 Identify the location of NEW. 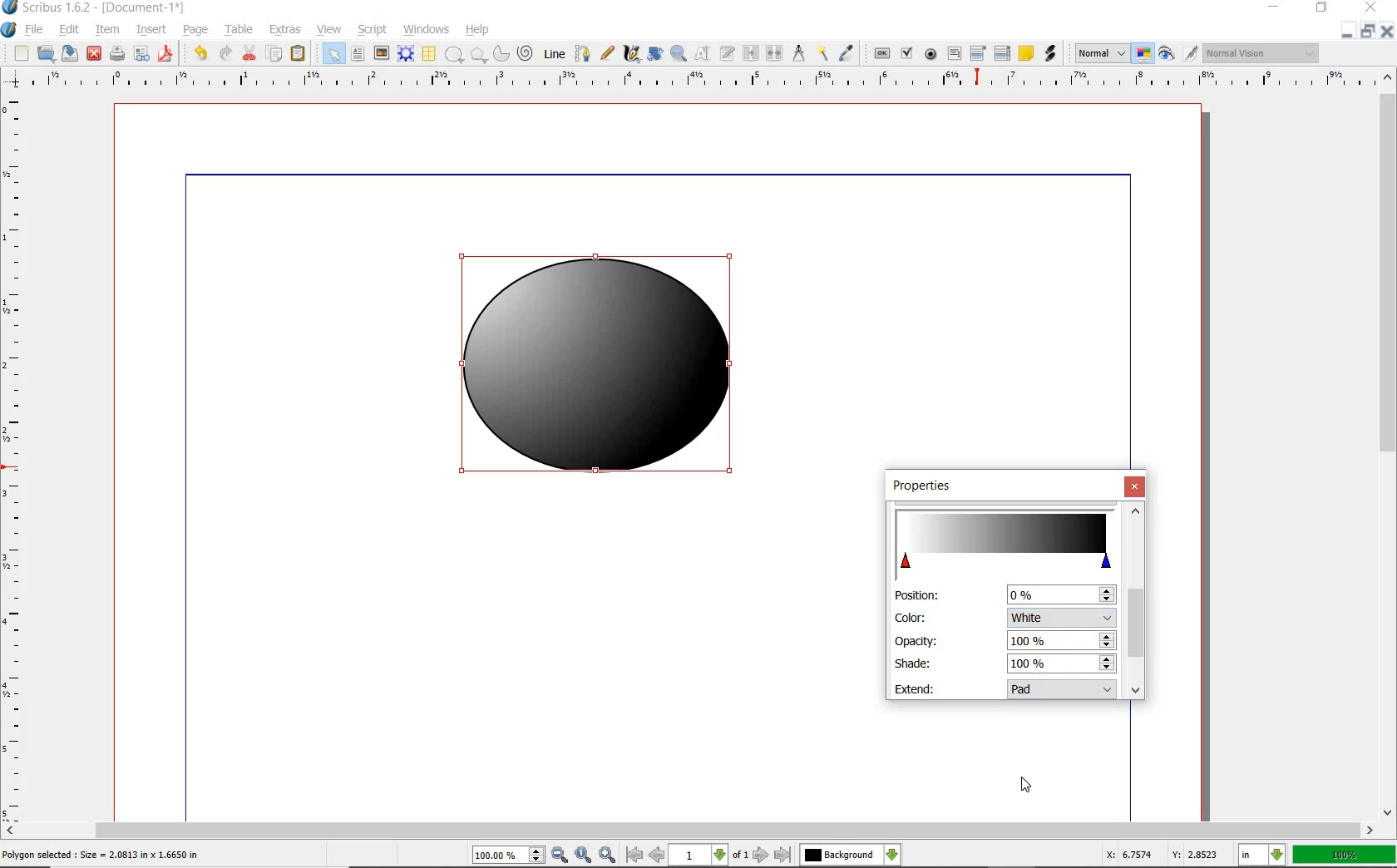
(21, 53).